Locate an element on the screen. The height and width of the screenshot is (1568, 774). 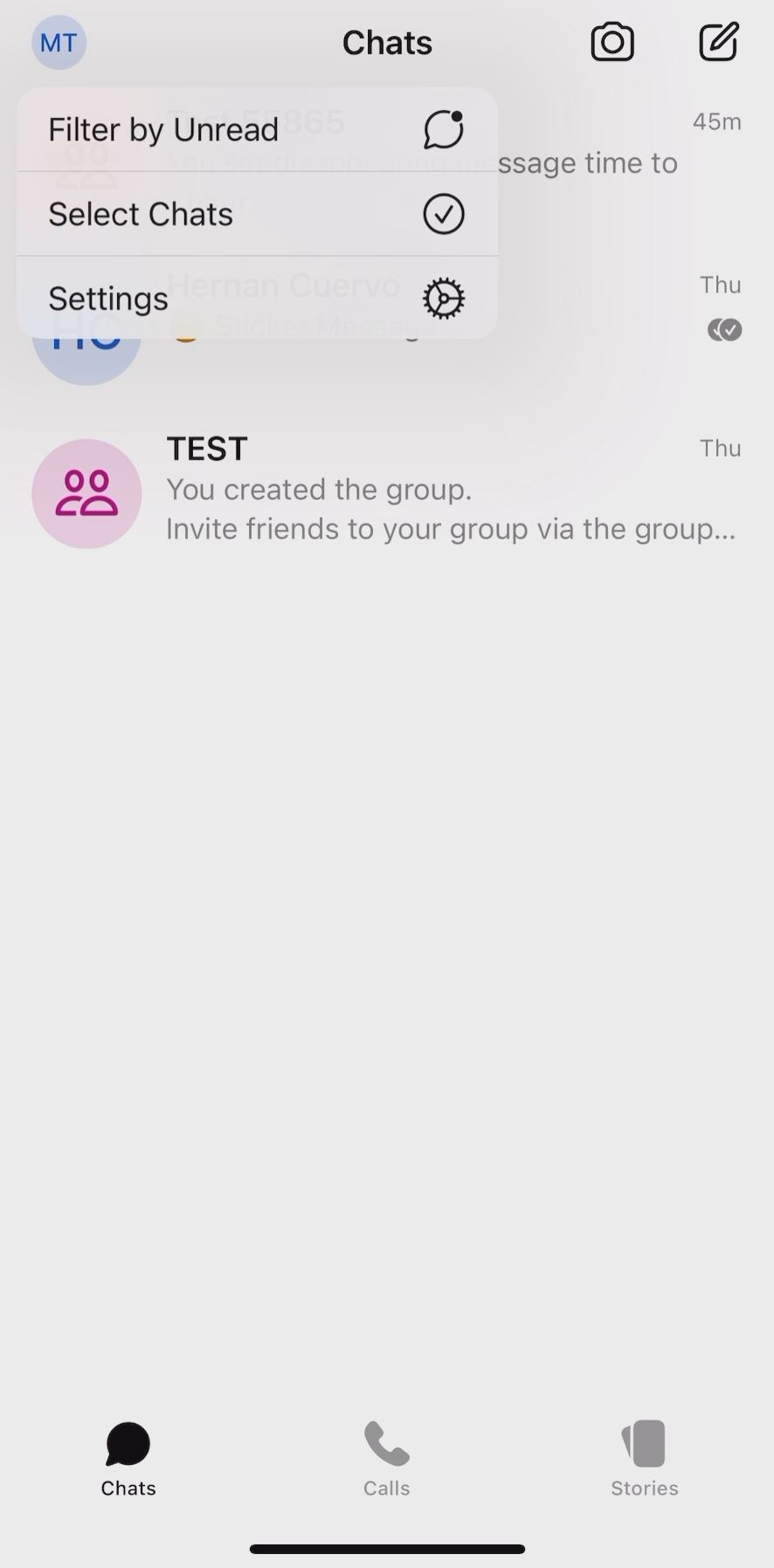
pull down  is located at coordinates (390, 1539).